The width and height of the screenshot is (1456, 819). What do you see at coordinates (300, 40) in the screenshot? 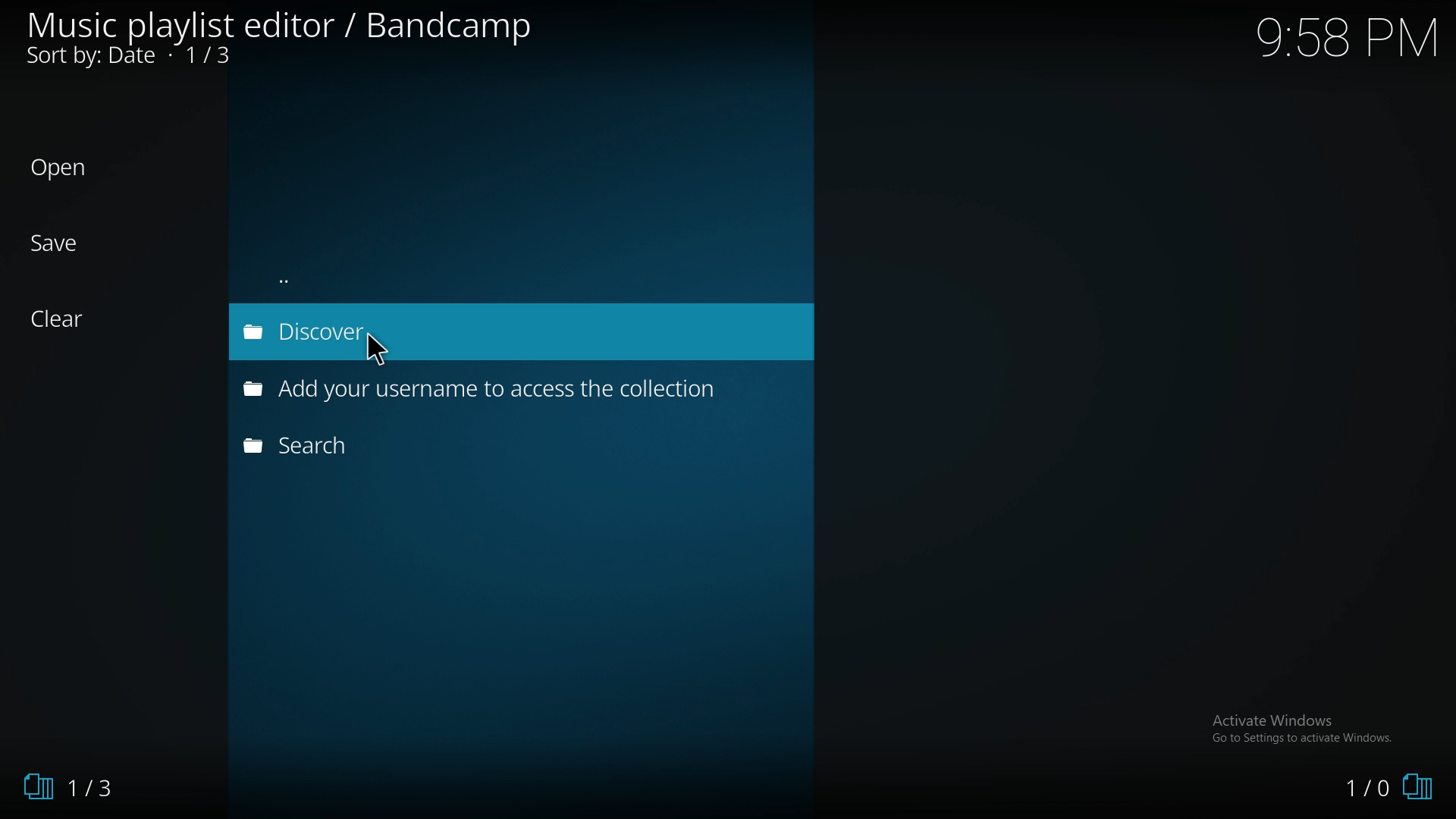
I see `Music playlist editor / Bandcamp, Sort by • 1/3` at bounding box center [300, 40].